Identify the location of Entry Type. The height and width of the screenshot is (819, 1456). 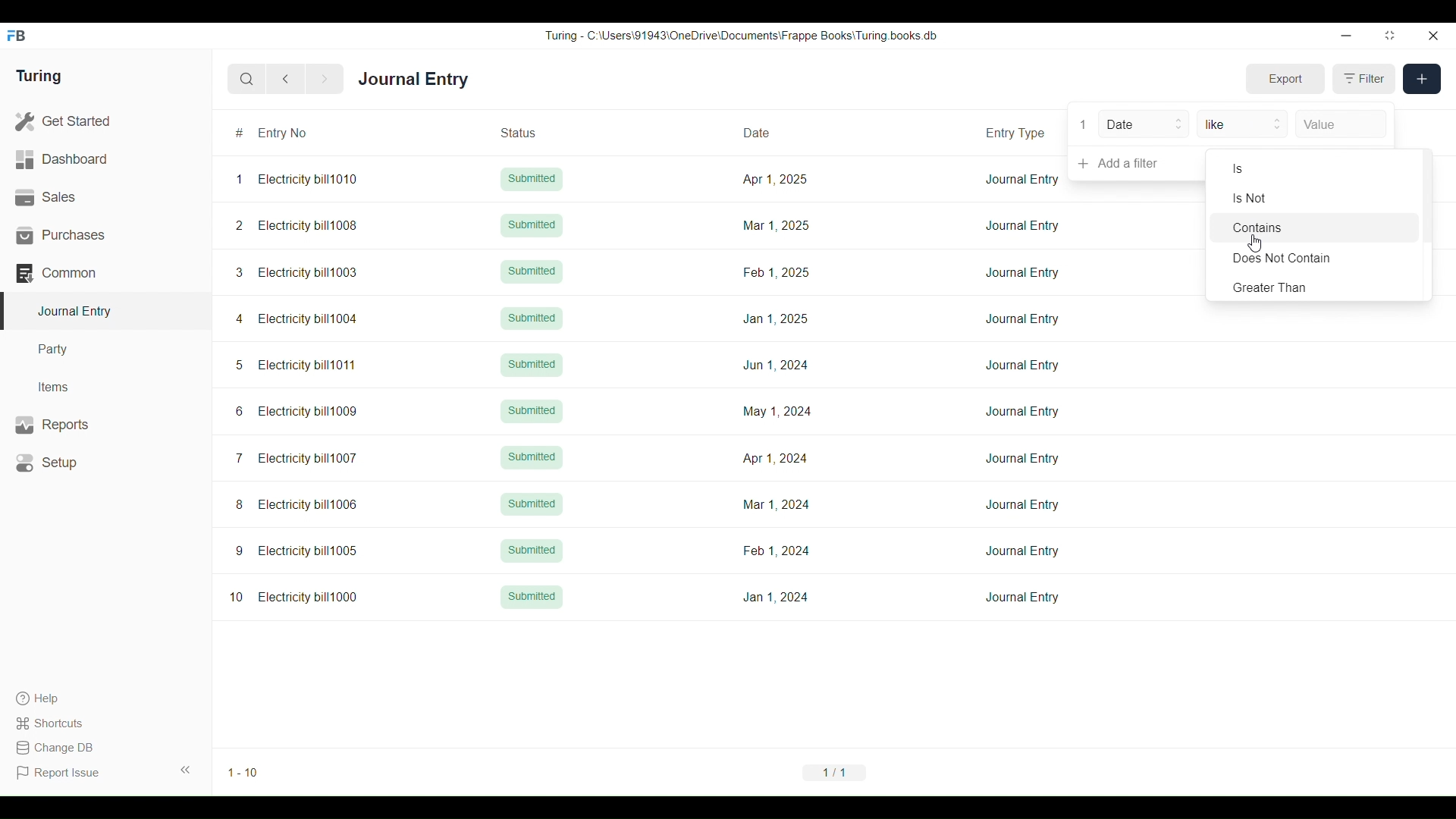
(1018, 131).